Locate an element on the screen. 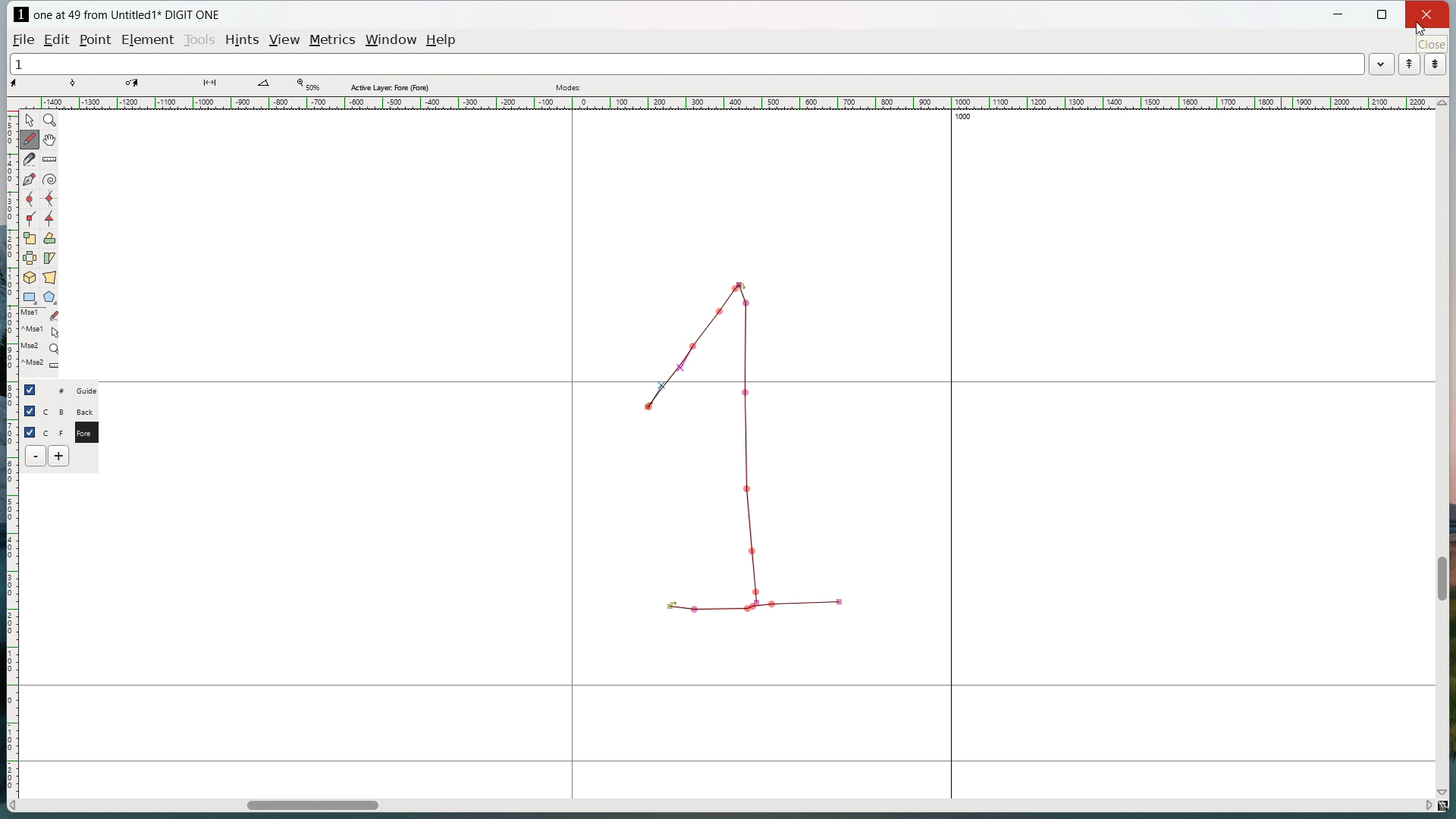 The image size is (1456, 819). skew selection is located at coordinates (50, 258).